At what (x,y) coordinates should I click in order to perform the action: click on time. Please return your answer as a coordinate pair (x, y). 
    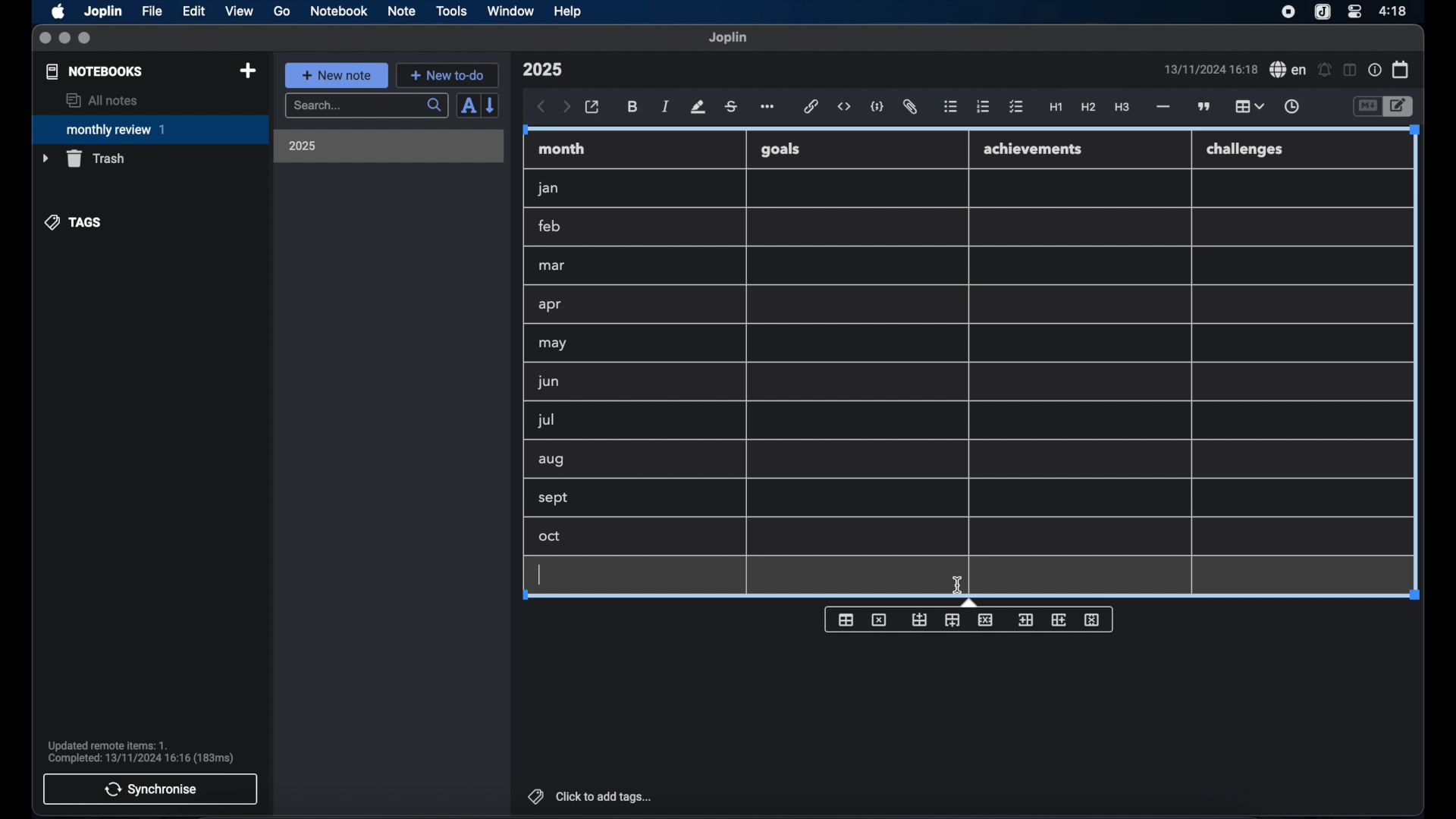
    Looking at the image, I should click on (1395, 11).